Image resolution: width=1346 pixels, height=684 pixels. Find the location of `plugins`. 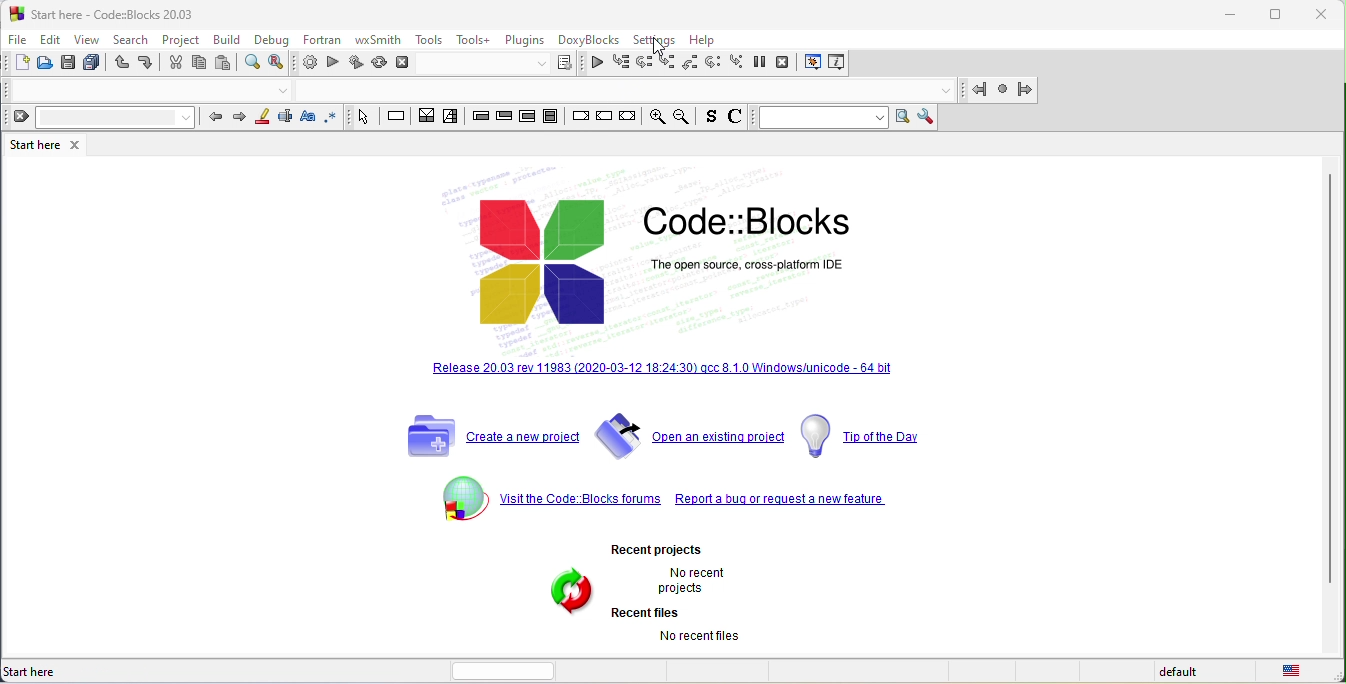

plugins is located at coordinates (528, 41).